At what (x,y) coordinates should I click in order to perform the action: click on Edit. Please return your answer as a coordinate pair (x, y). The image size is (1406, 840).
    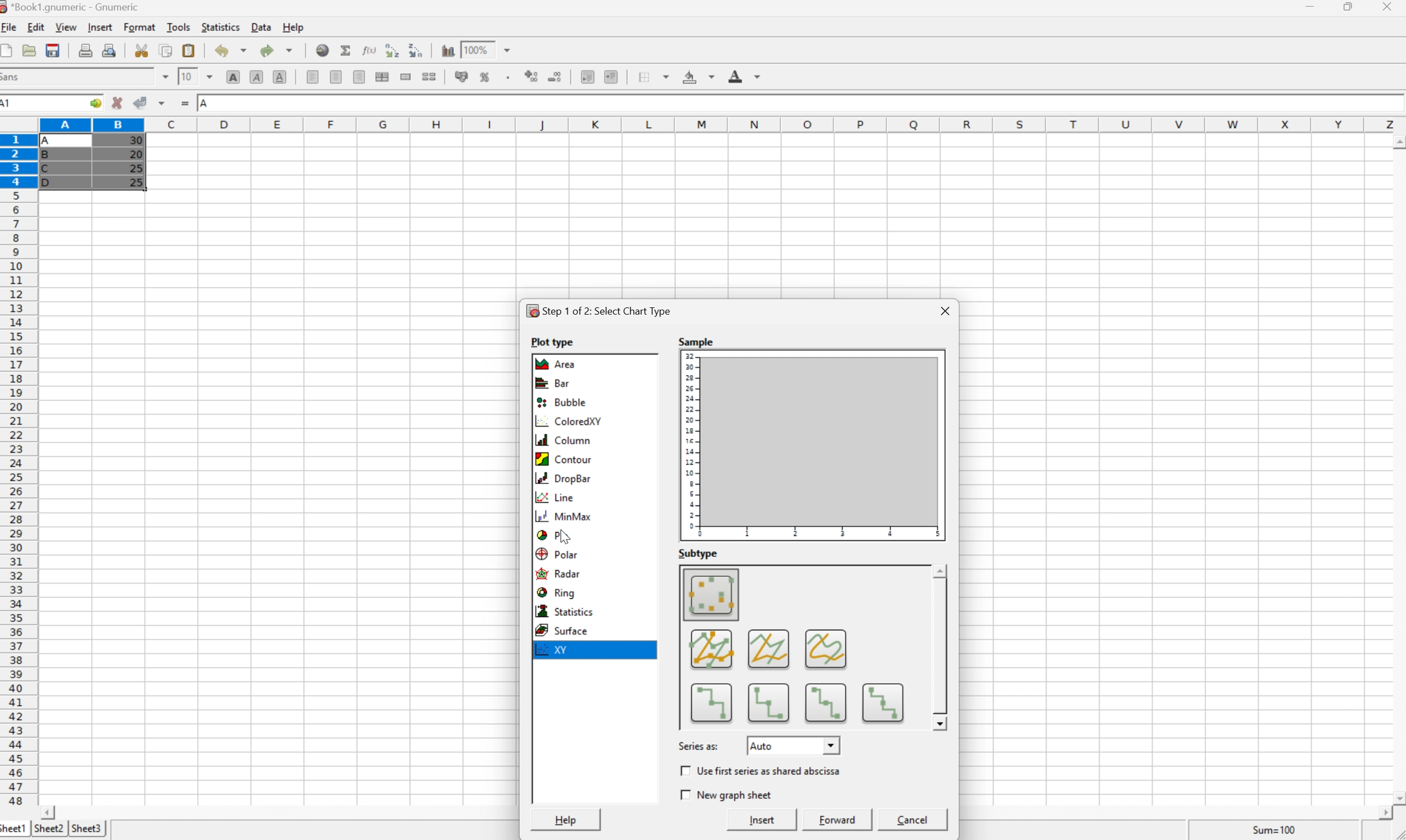
    Looking at the image, I should click on (36, 27).